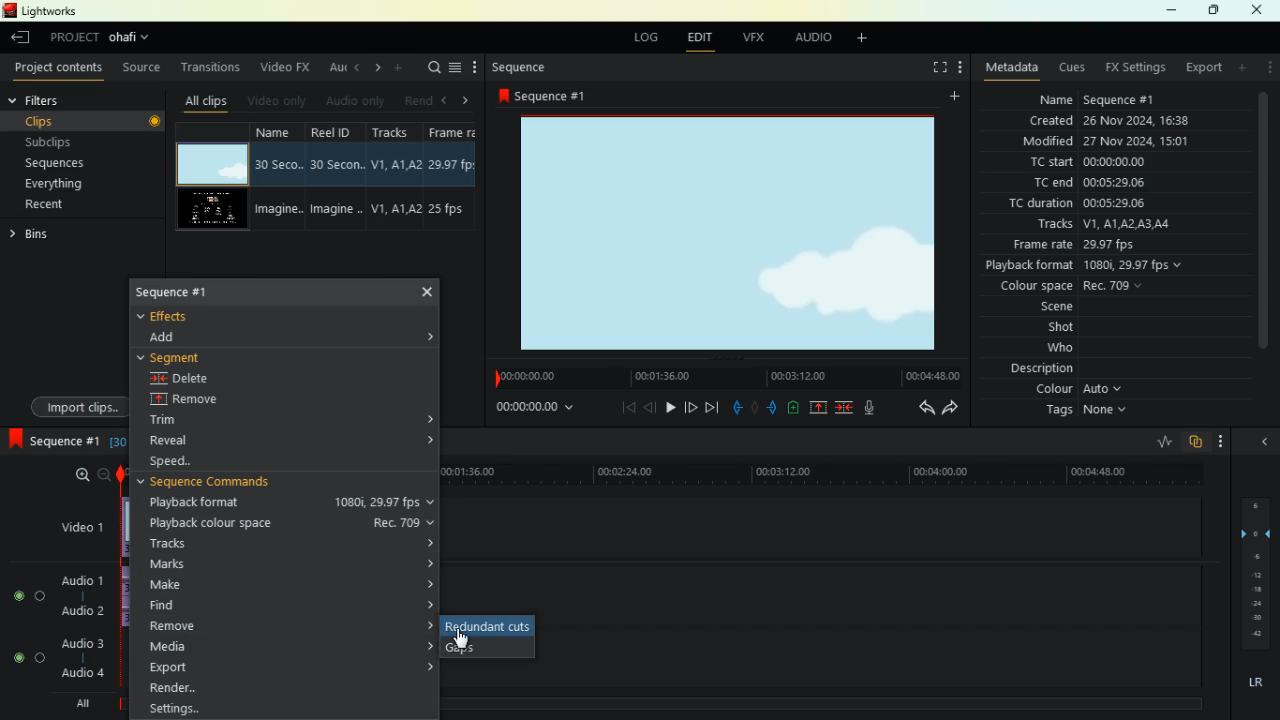  I want to click on play, so click(670, 407).